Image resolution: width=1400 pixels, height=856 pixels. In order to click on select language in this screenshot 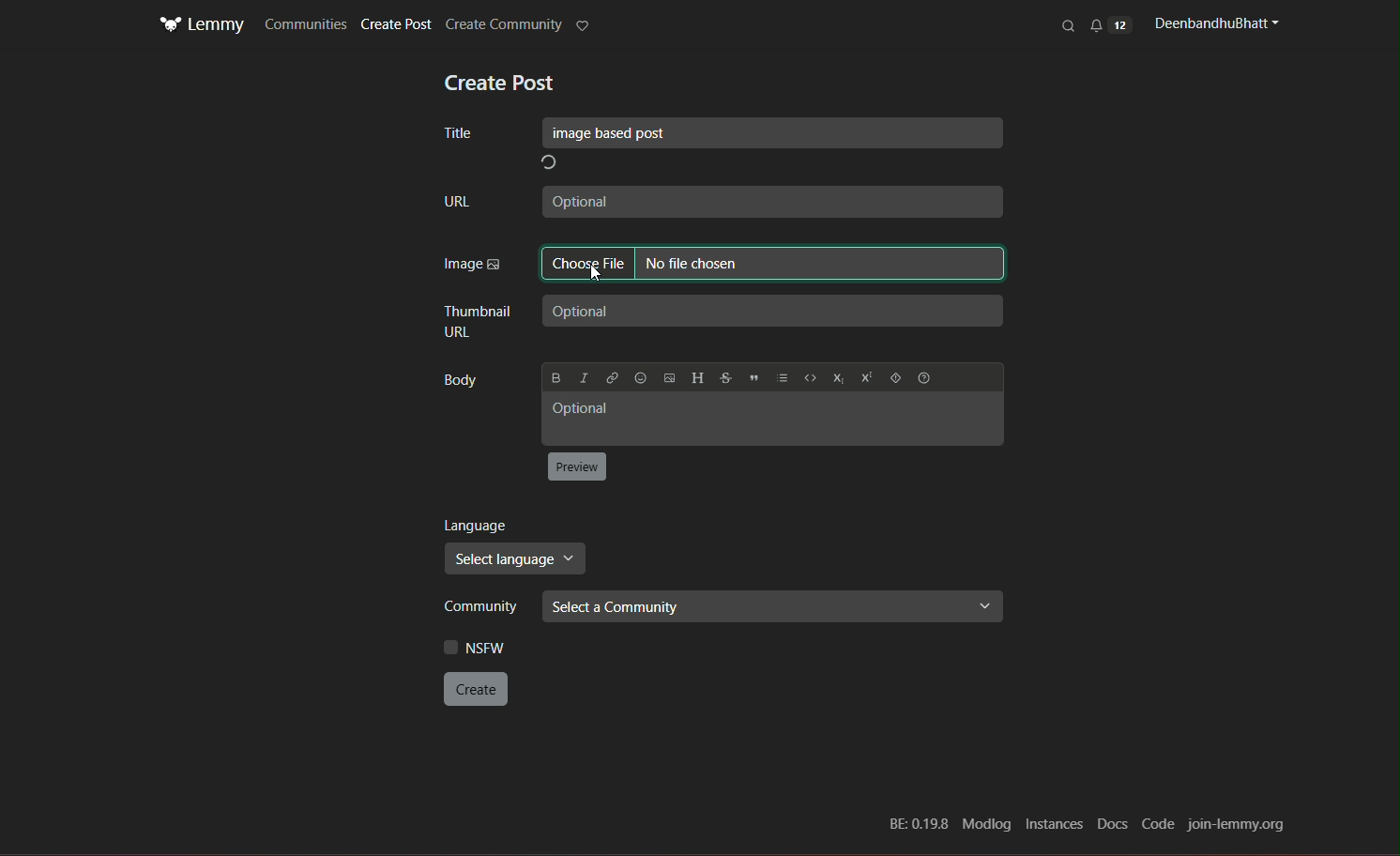, I will do `click(516, 558)`.